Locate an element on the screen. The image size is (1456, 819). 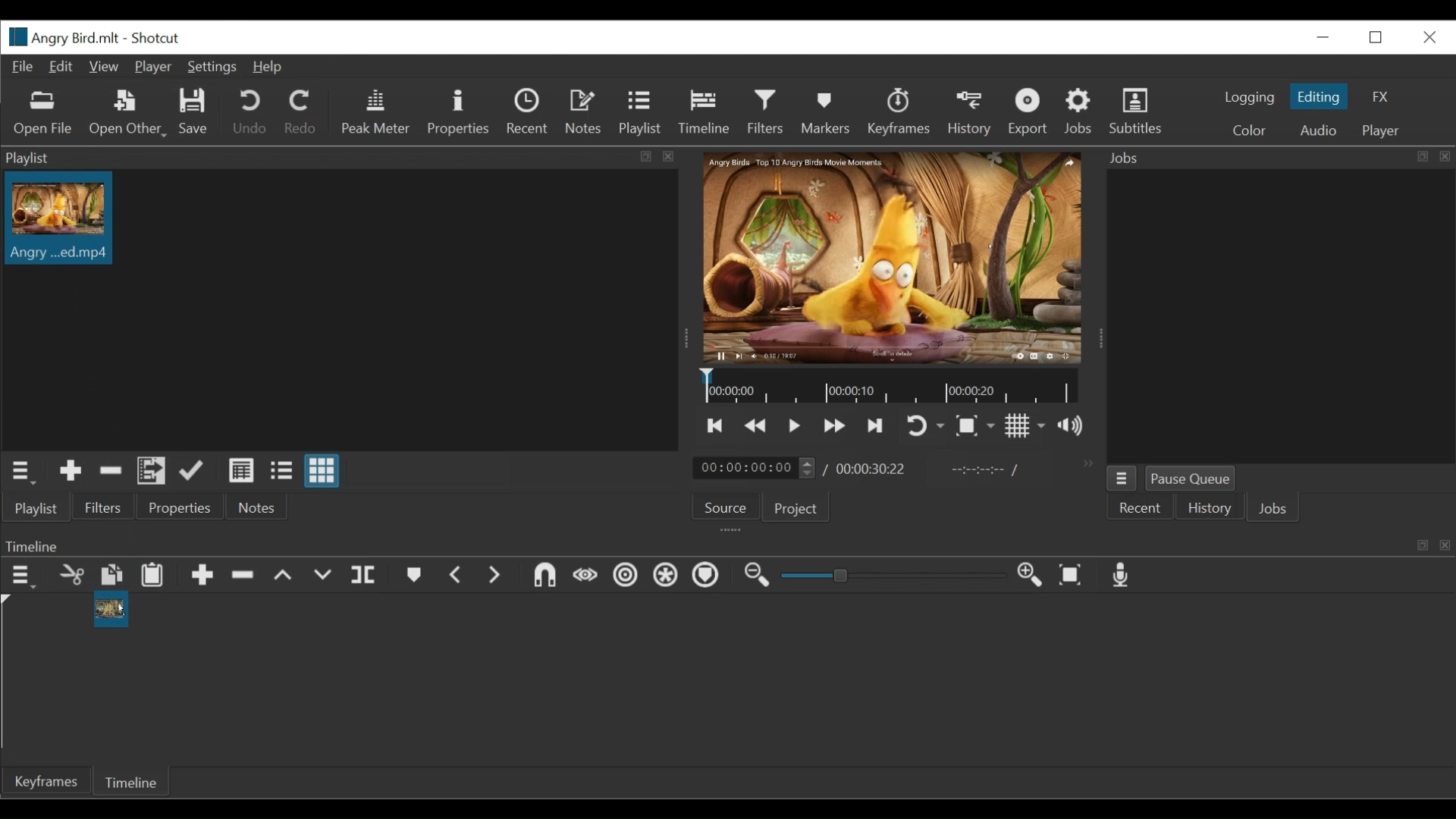
File name is located at coordinates (62, 37).